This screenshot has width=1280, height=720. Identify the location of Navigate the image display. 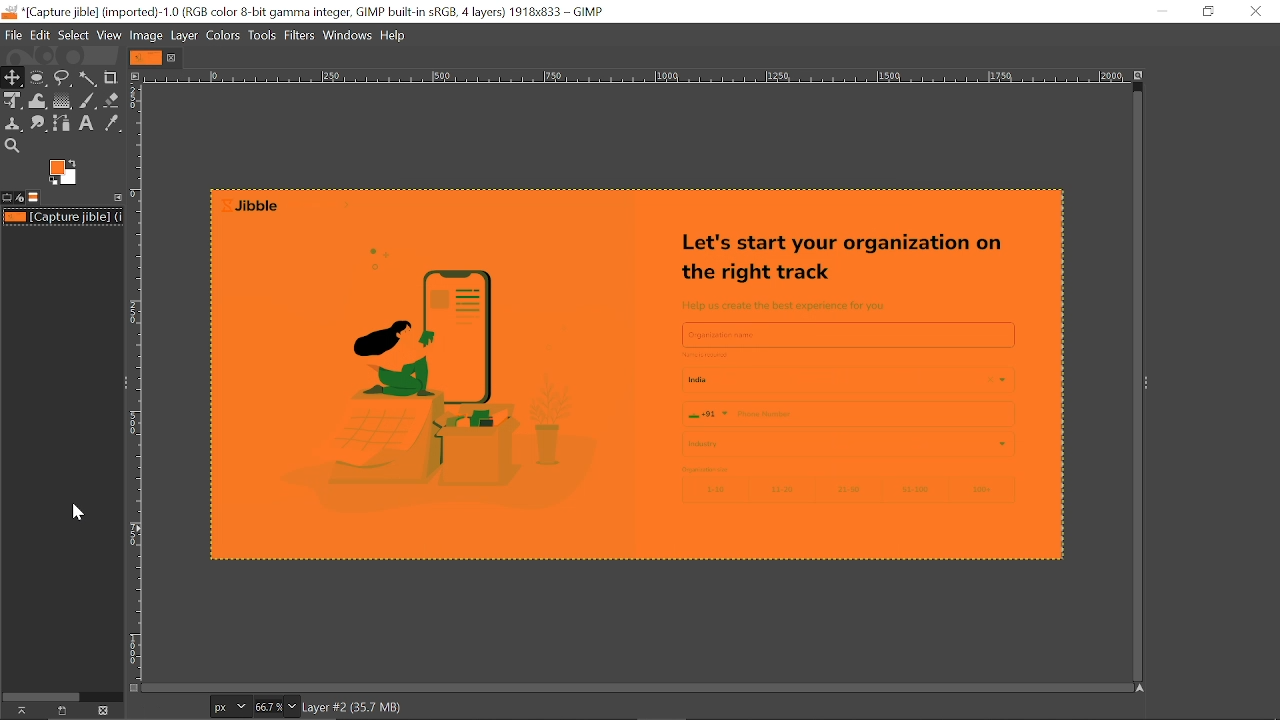
(1142, 689).